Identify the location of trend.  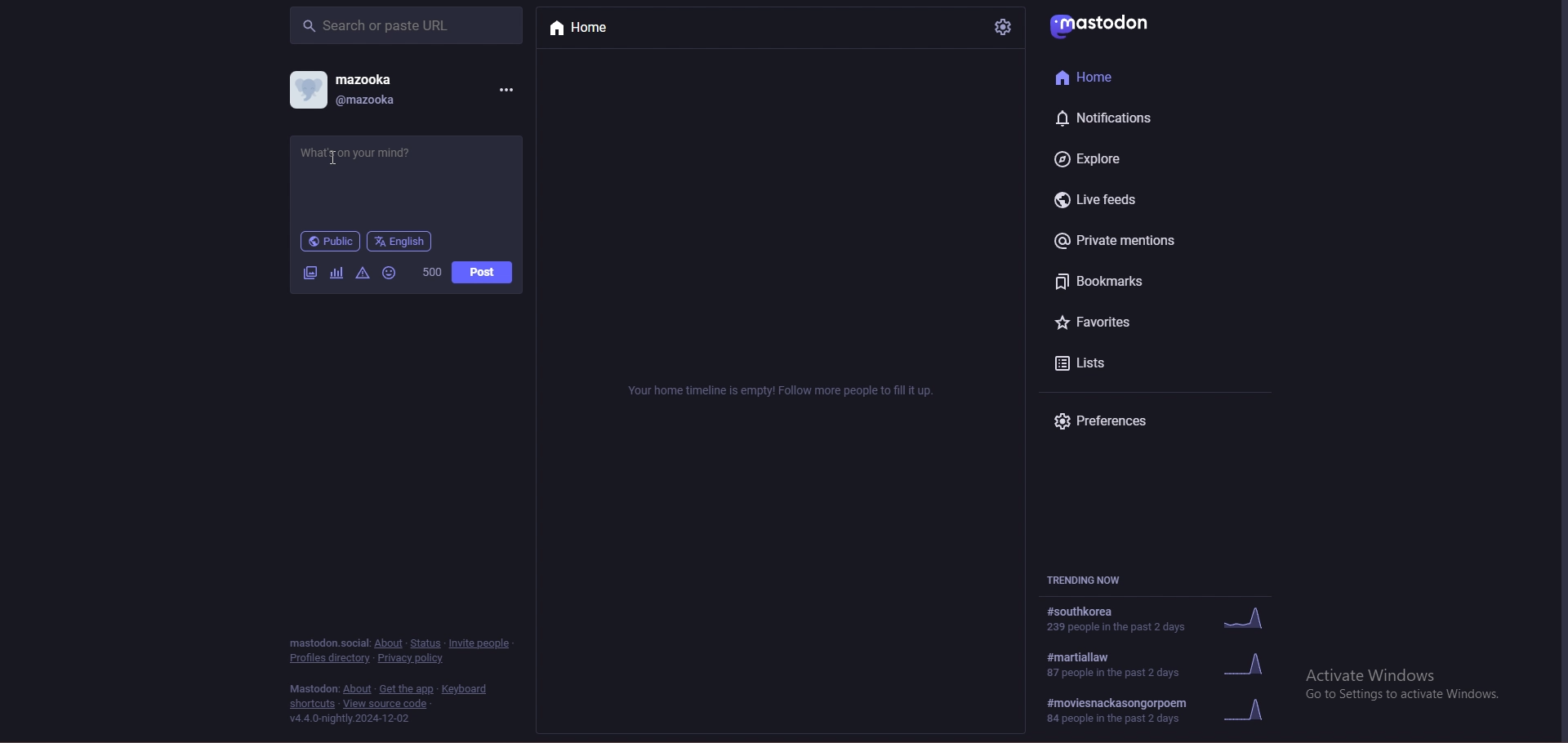
(1166, 665).